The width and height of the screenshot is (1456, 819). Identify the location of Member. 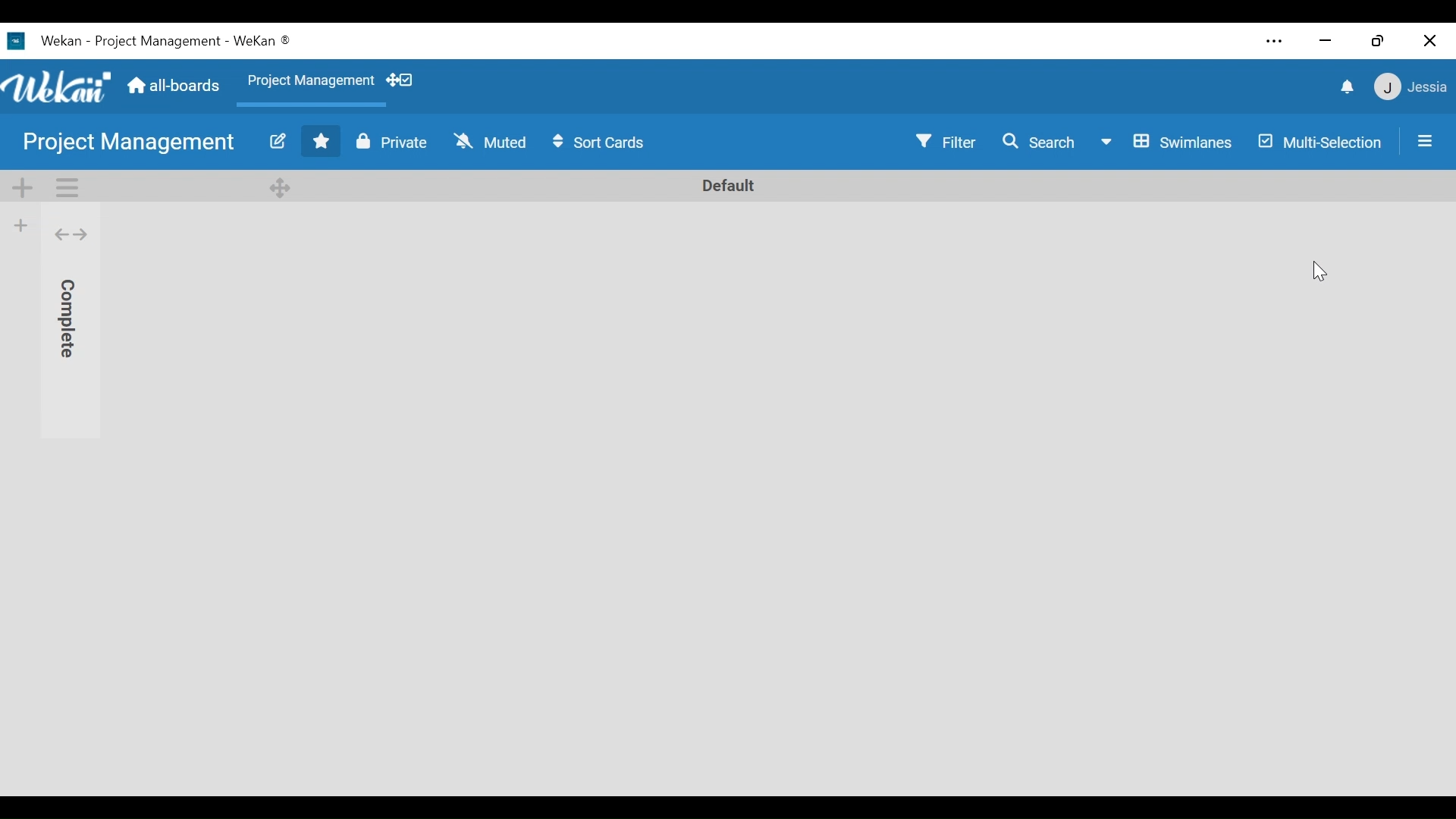
(1411, 87).